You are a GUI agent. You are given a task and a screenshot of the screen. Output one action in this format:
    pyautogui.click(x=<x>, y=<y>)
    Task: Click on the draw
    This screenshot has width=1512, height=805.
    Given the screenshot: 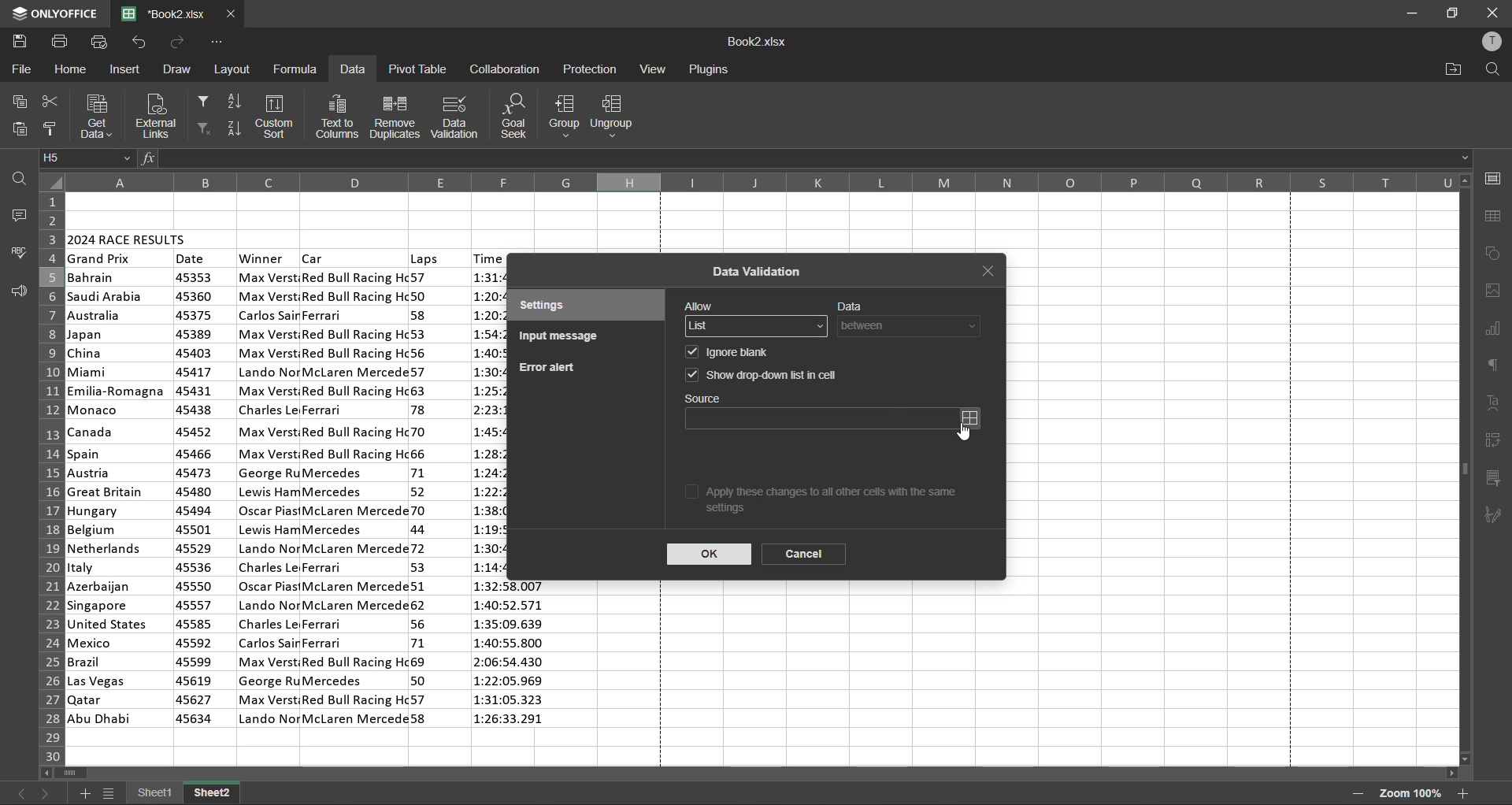 What is the action you would take?
    pyautogui.click(x=178, y=67)
    